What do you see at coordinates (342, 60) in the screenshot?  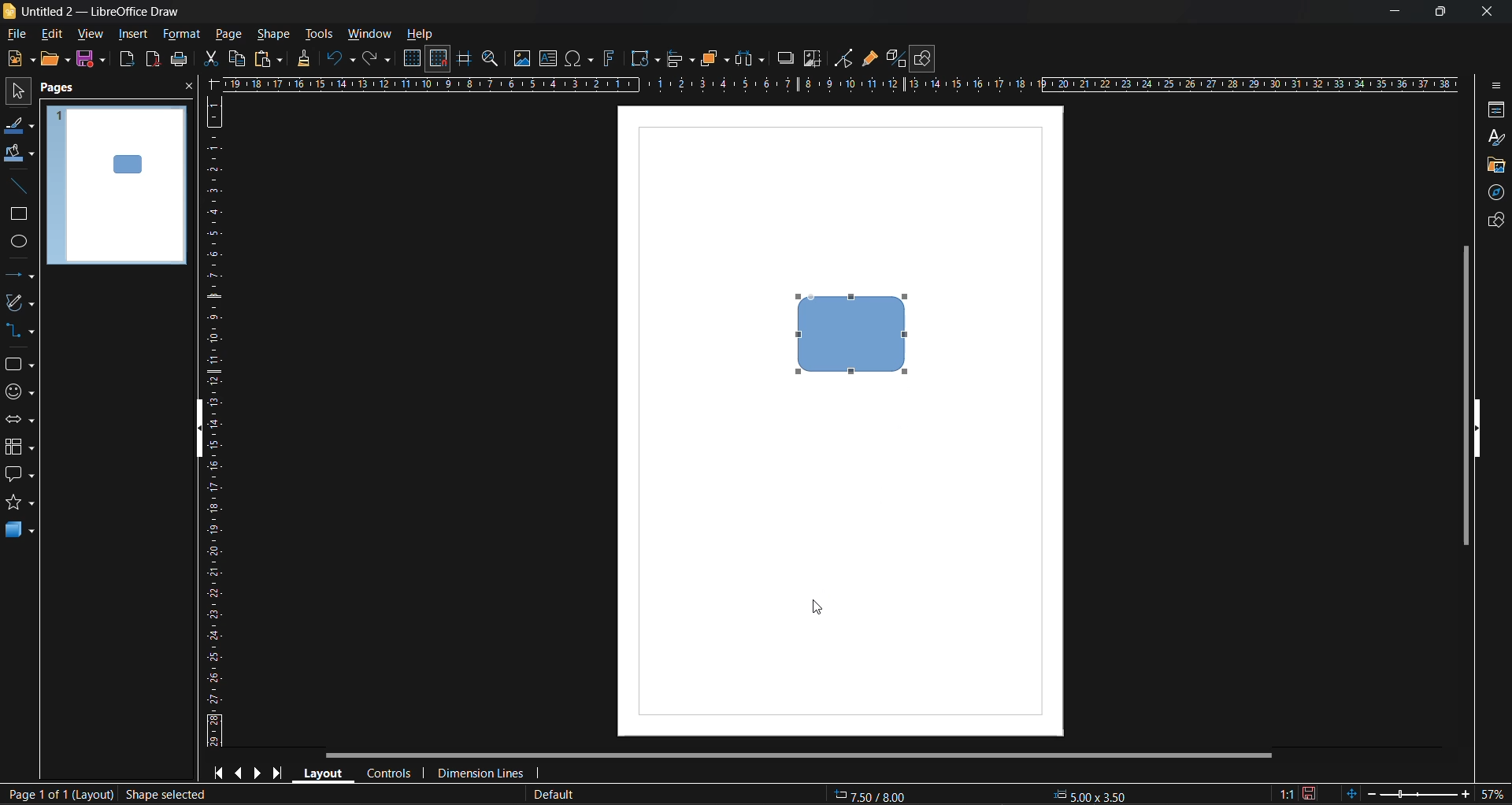 I see `undo` at bounding box center [342, 60].